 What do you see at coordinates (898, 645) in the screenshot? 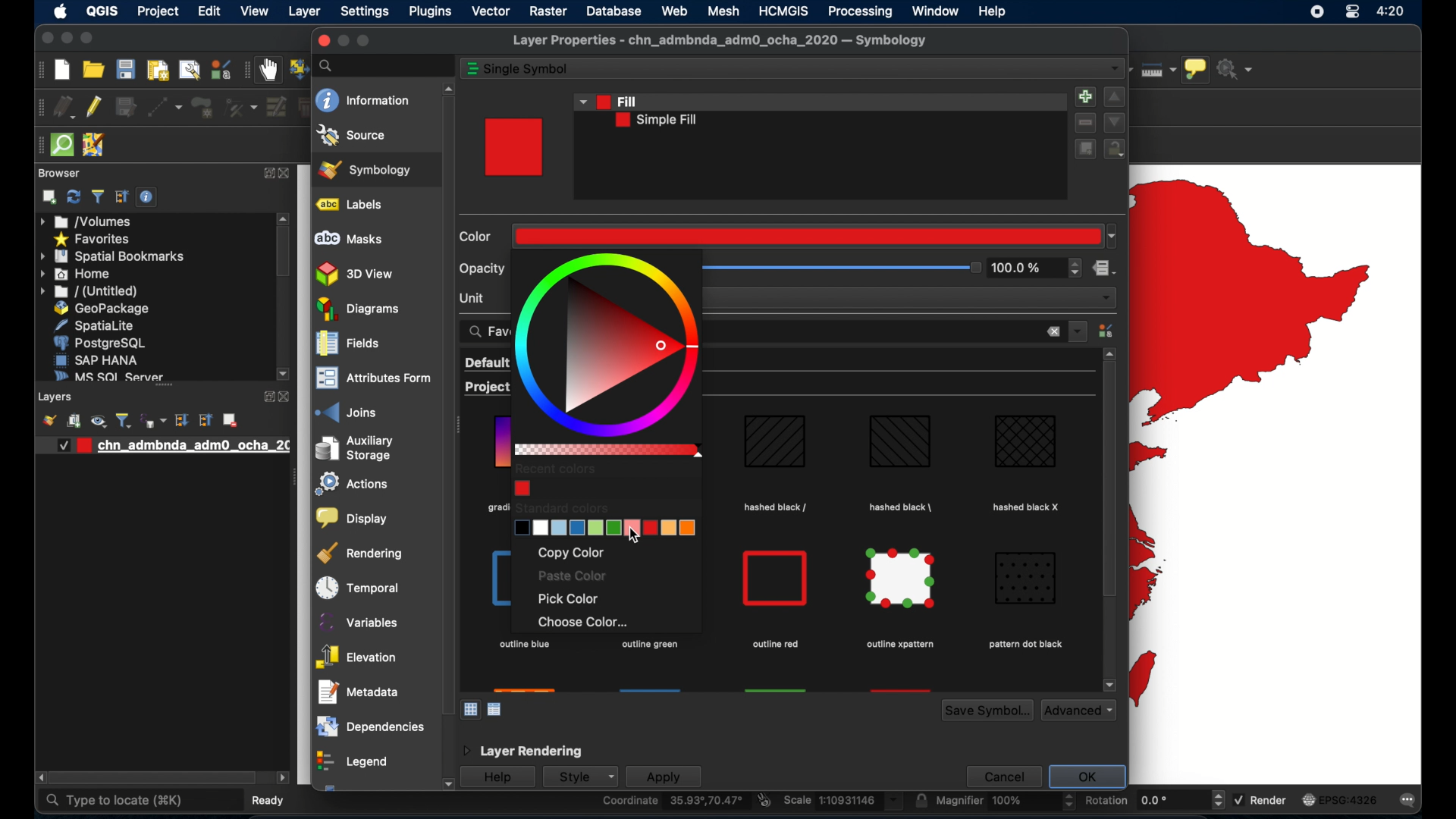
I see `outline xpattern` at bounding box center [898, 645].